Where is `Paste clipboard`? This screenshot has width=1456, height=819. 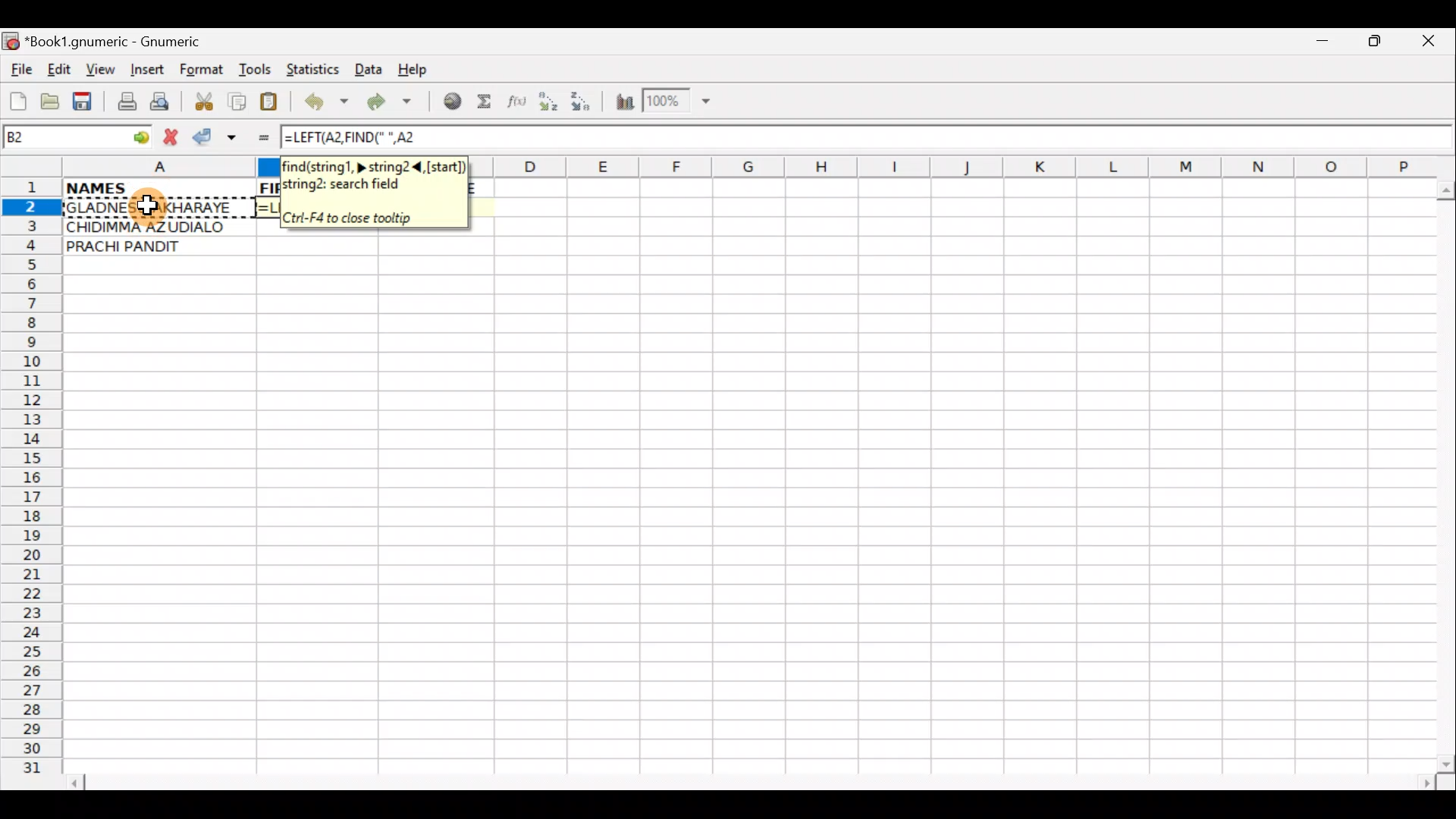
Paste clipboard is located at coordinates (274, 104).